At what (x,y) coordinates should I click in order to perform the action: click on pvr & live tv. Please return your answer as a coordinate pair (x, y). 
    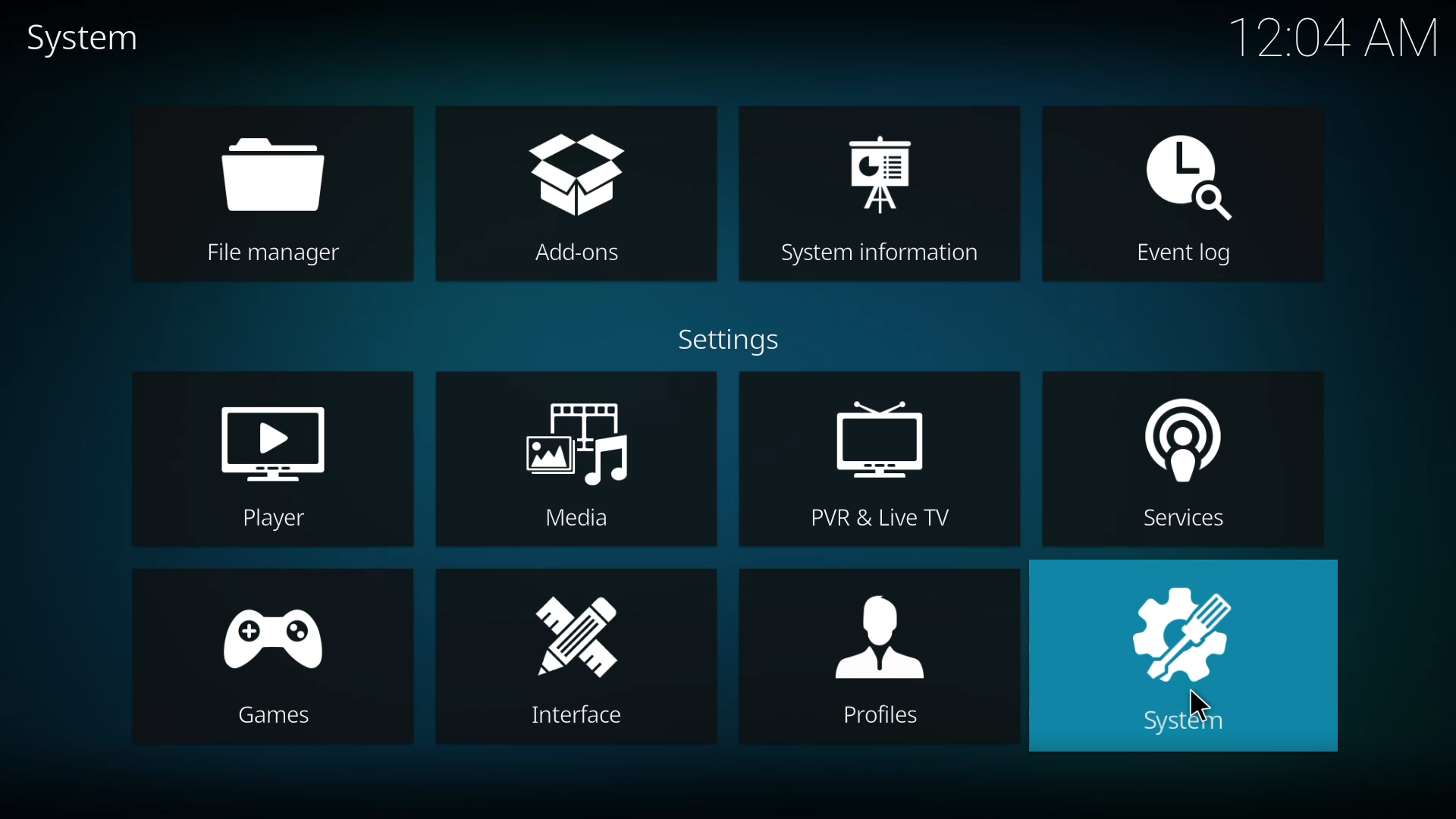
    Looking at the image, I should click on (890, 466).